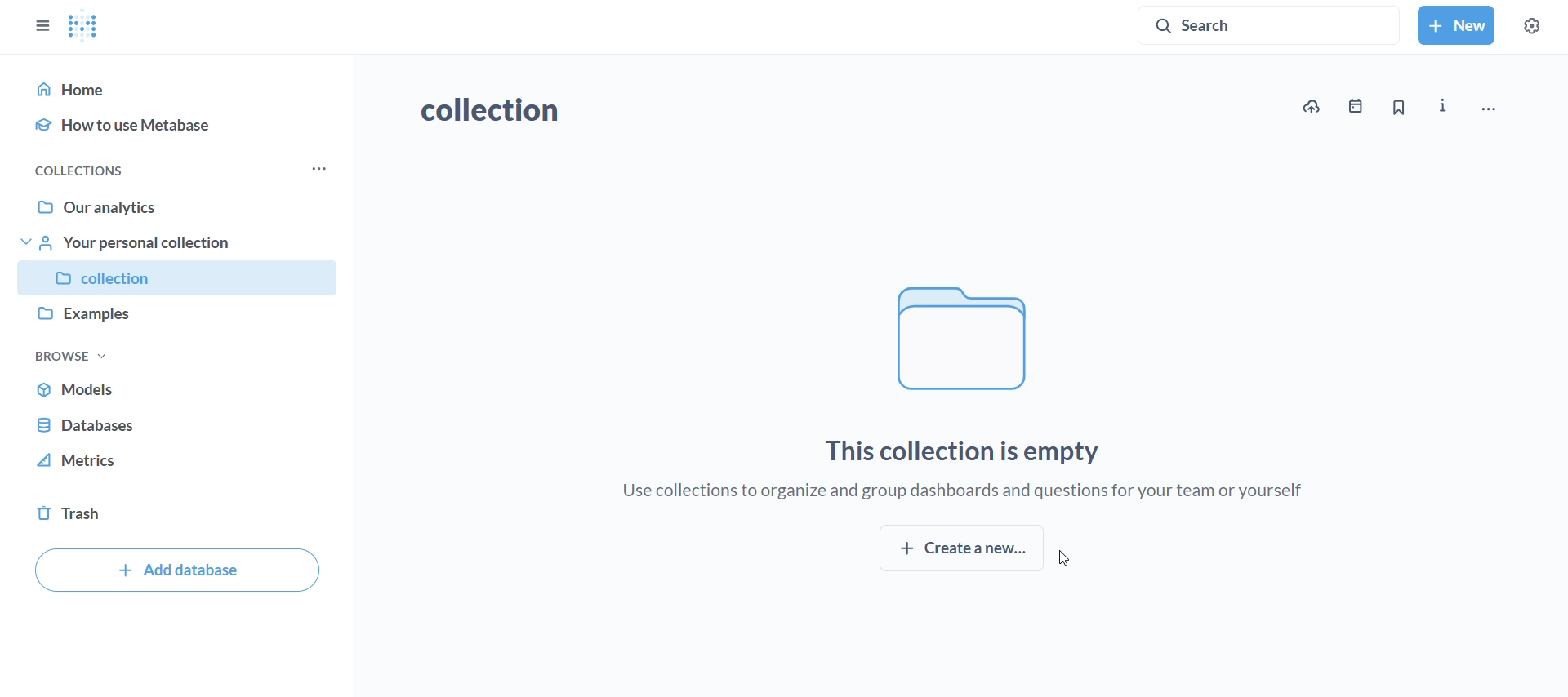  I want to click on examples, so click(175, 317).